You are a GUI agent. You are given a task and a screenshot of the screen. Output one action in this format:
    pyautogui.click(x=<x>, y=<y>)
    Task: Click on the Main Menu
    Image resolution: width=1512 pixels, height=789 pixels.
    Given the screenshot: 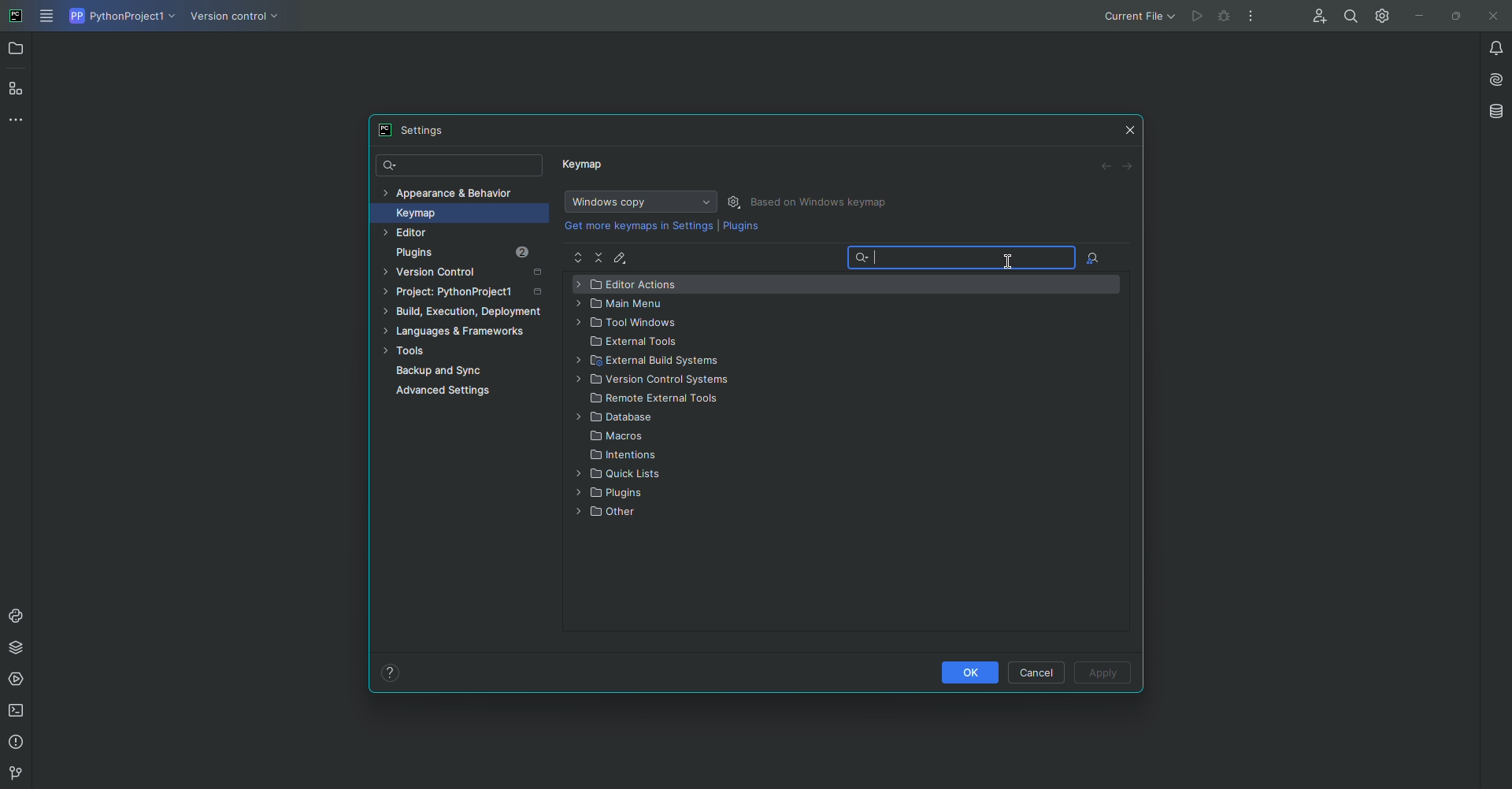 What is the action you would take?
    pyautogui.click(x=48, y=17)
    